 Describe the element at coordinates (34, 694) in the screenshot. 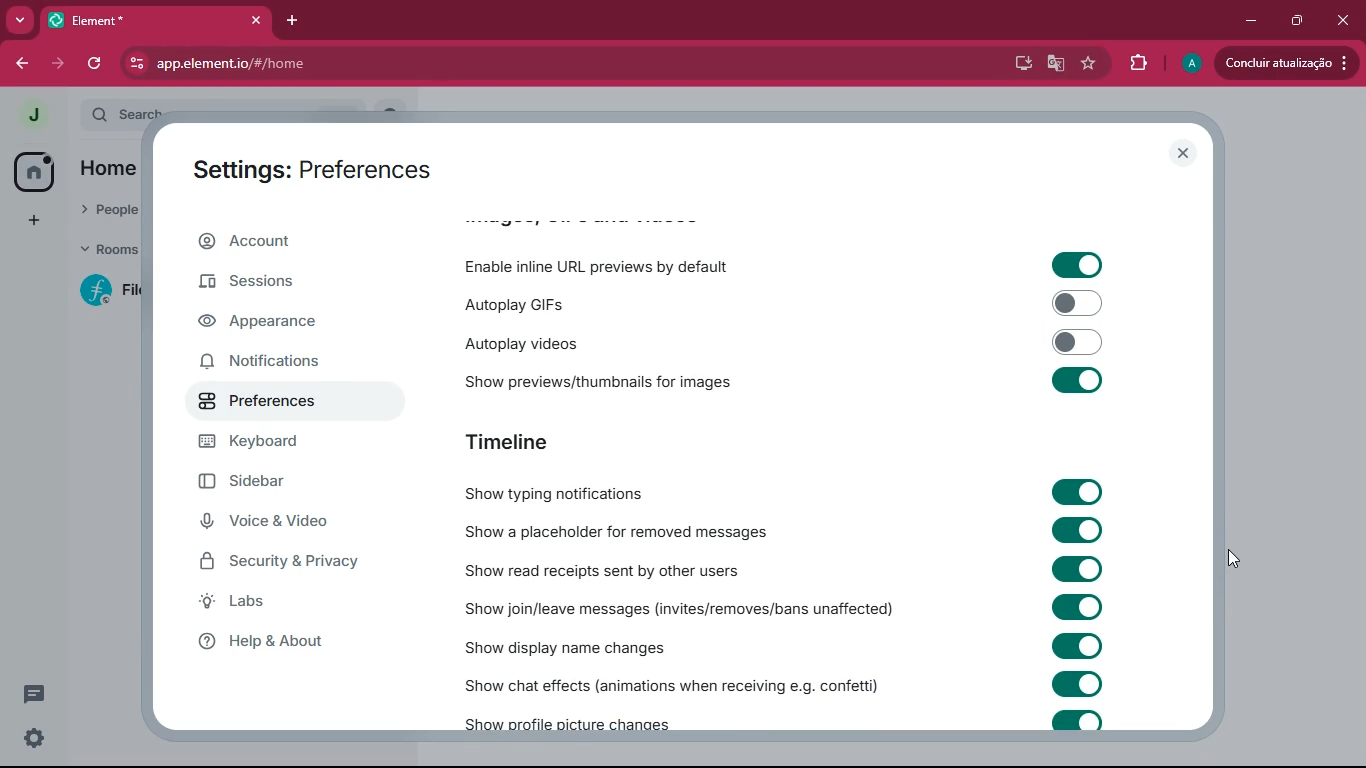

I see `threads` at that location.